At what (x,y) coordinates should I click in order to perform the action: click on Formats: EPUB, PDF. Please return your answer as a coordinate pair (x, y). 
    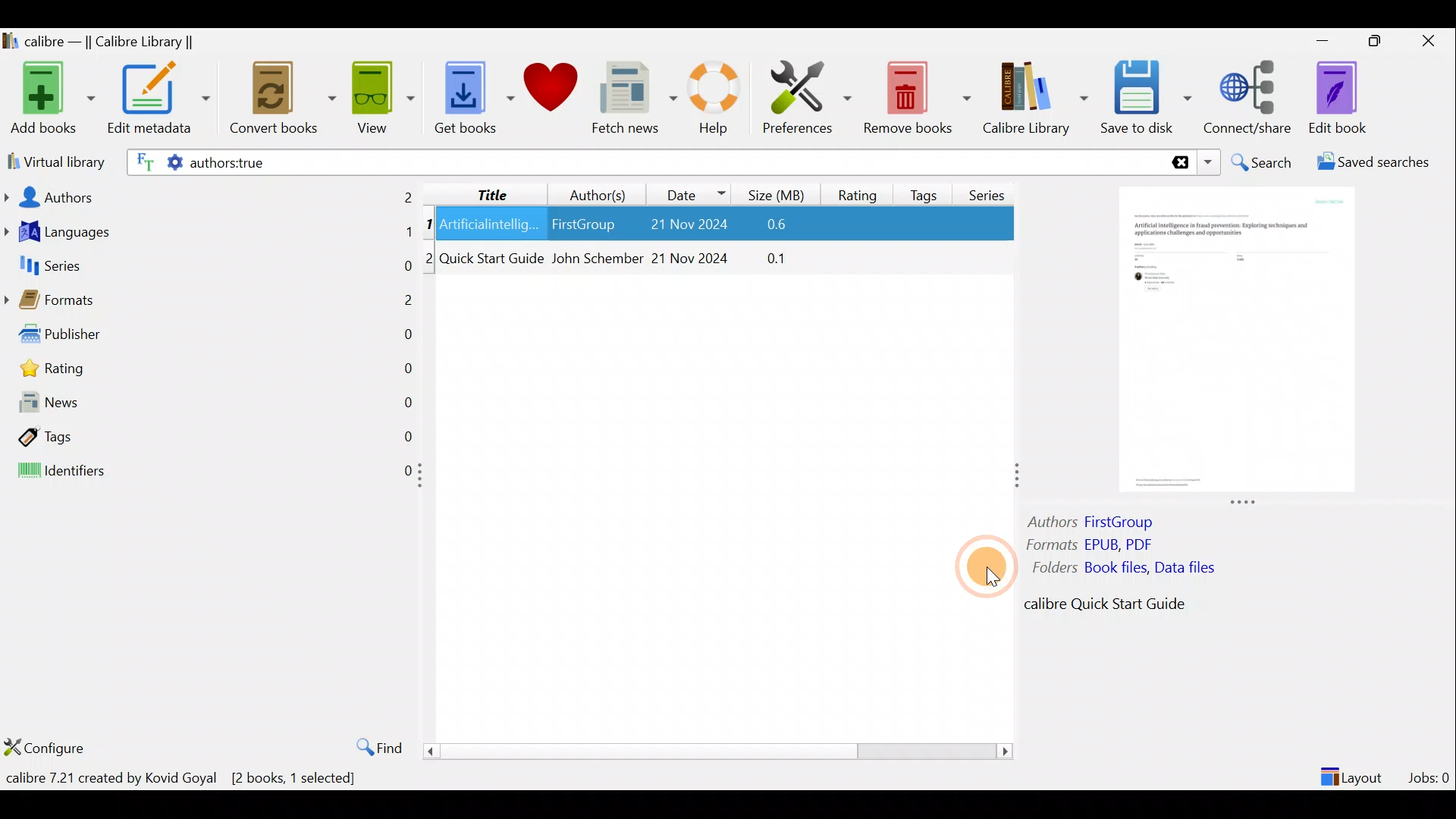
    Looking at the image, I should click on (1093, 547).